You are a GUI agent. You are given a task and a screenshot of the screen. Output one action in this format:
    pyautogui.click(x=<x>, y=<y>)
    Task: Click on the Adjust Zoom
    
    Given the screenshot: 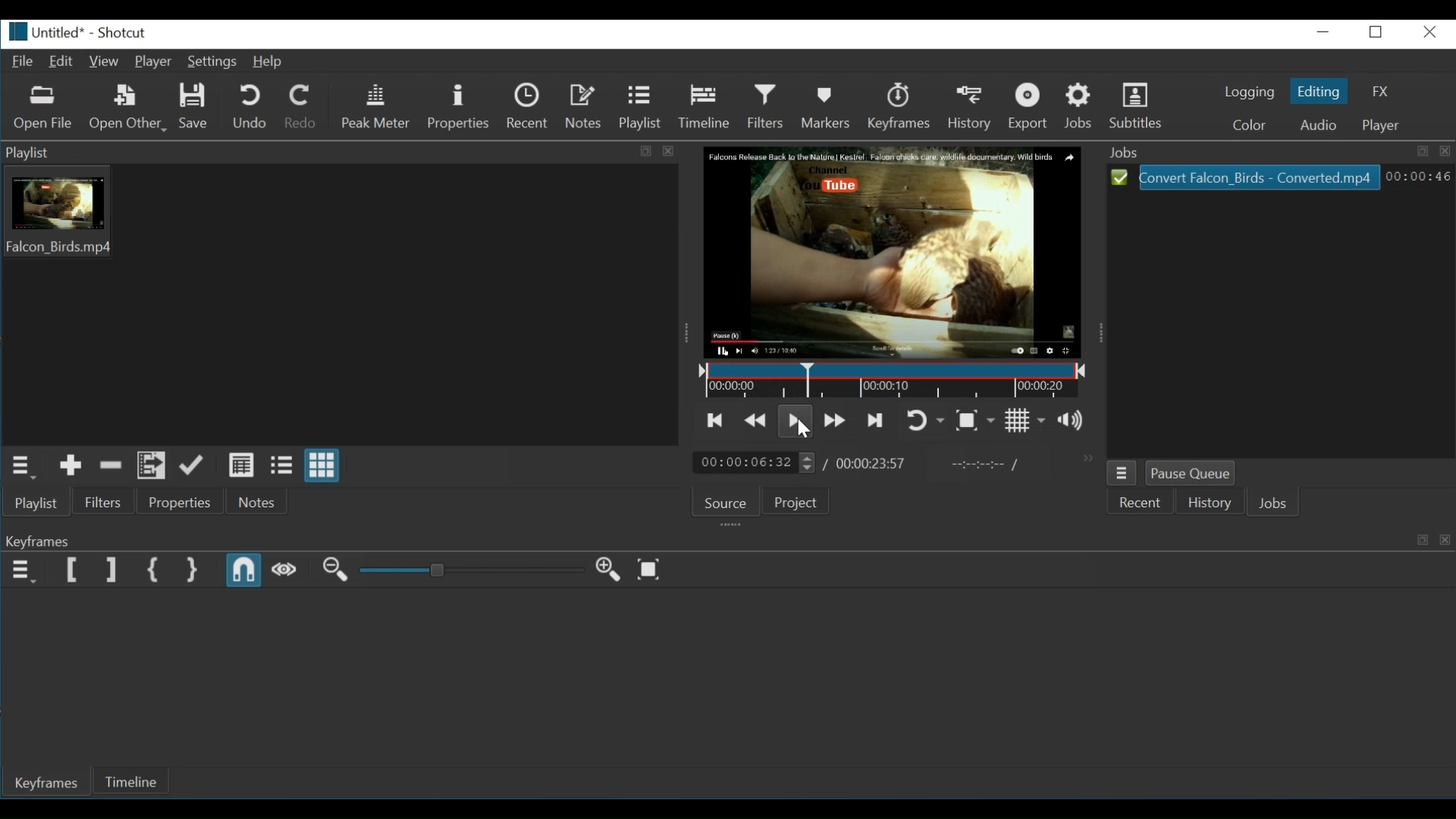 What is the action you would take?
    pyautogui.click(x=472, y=570)
    